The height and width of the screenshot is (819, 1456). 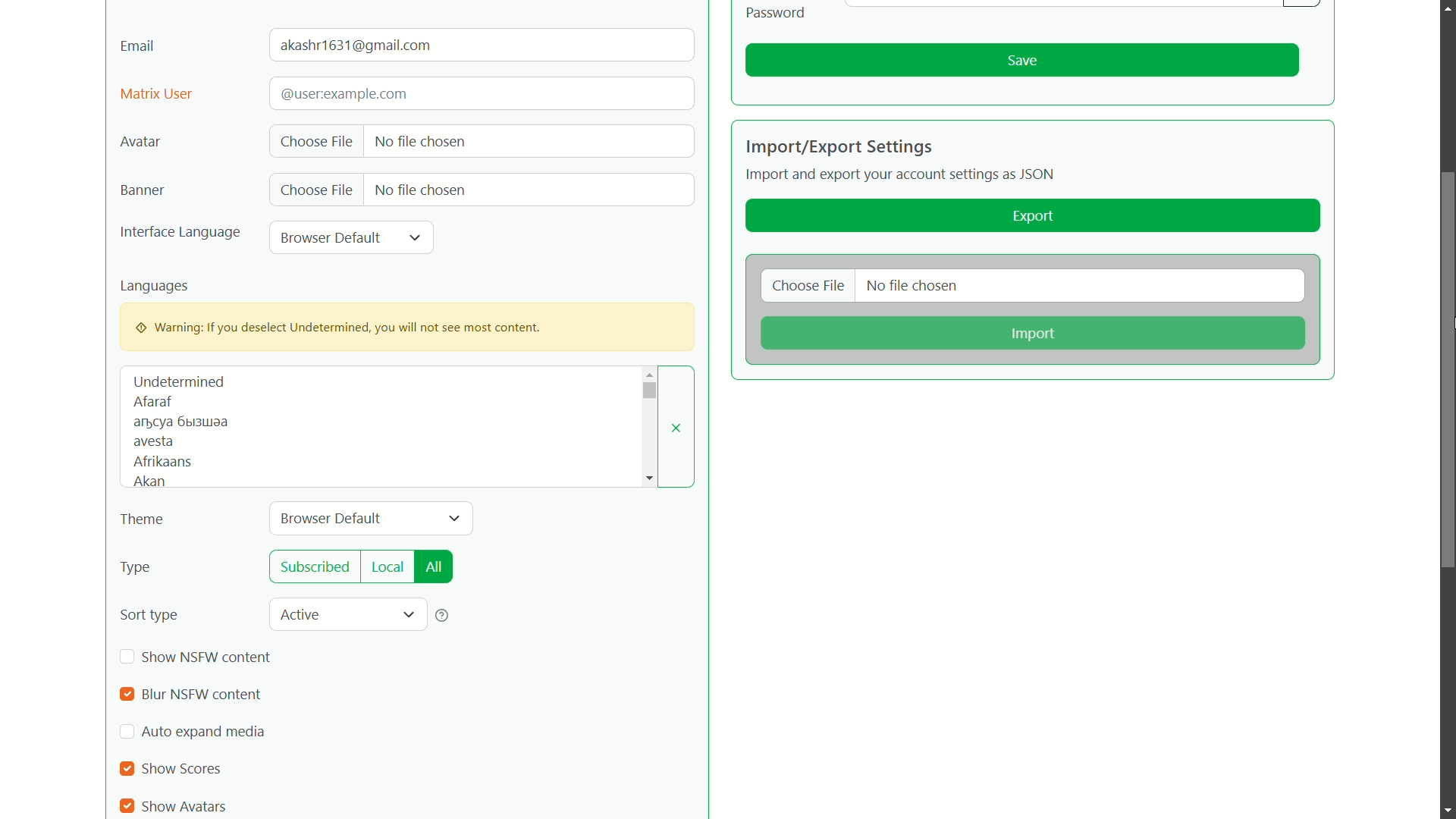 What do you see at coordinates (126, 806) in the screenshot?
I see `checkbox` at bounding box center [126, 806].